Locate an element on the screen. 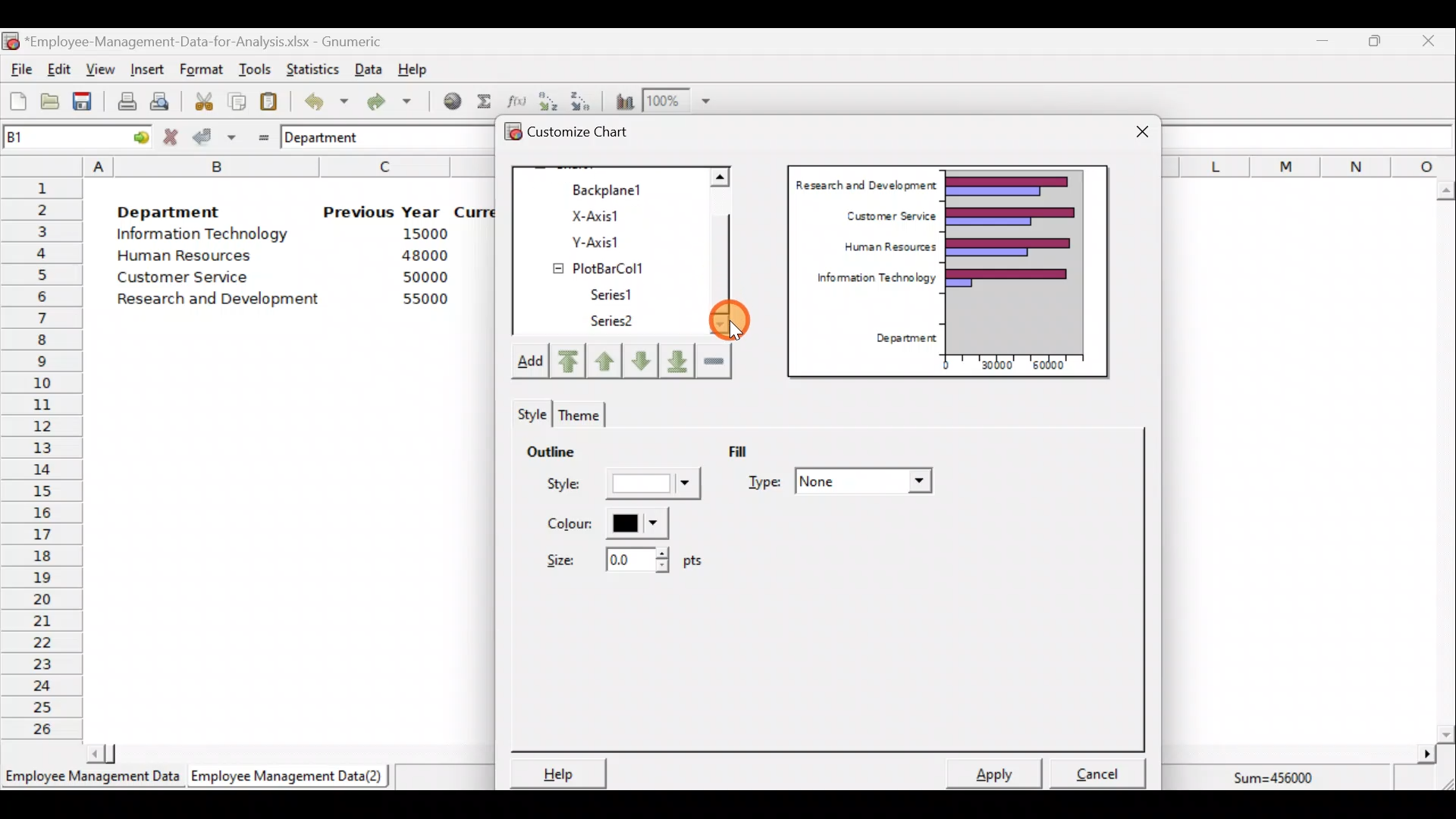 This screenshot has height=819, width=1456. Apply is located at coordinates (1001, 772).